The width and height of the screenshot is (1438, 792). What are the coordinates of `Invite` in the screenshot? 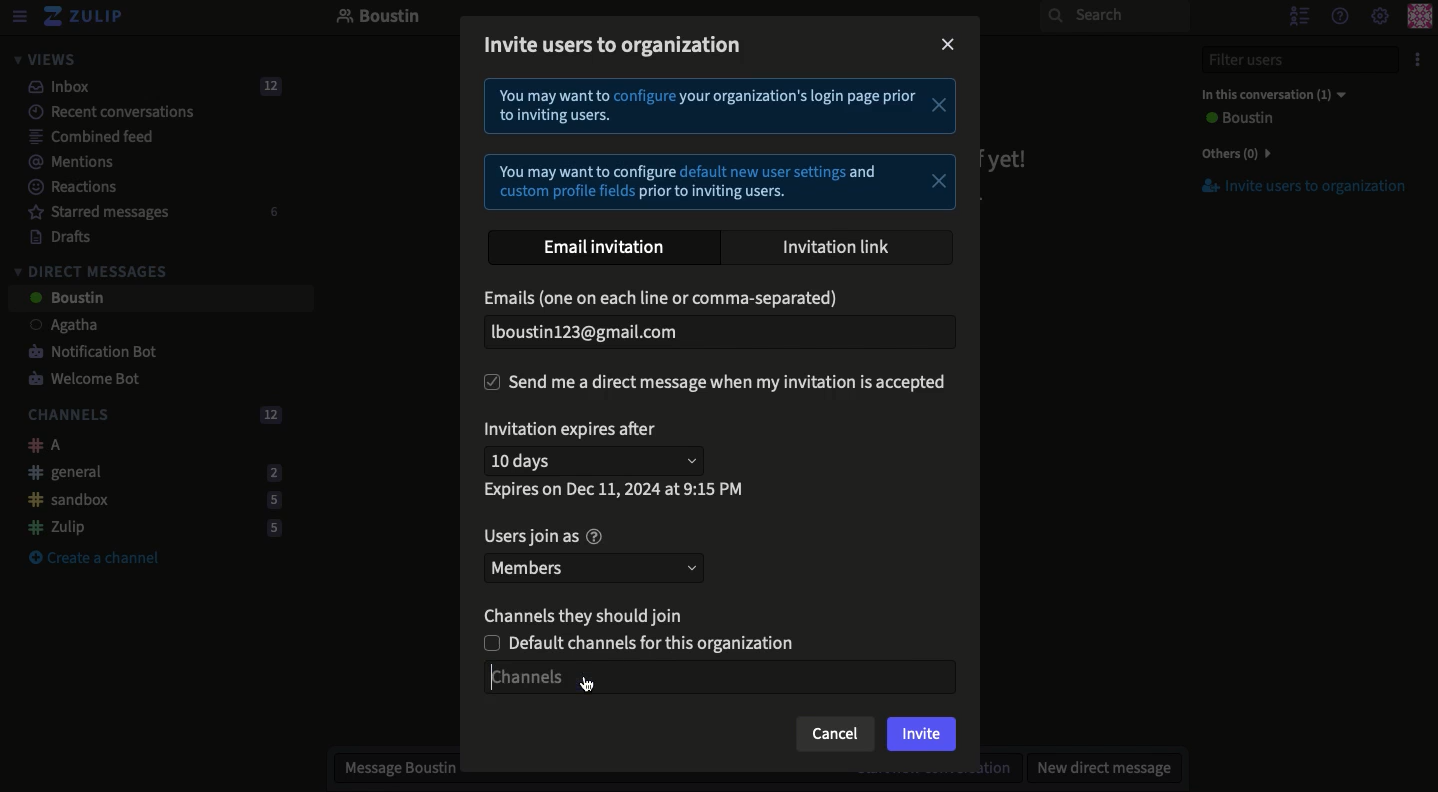 It's located at (922, 736).